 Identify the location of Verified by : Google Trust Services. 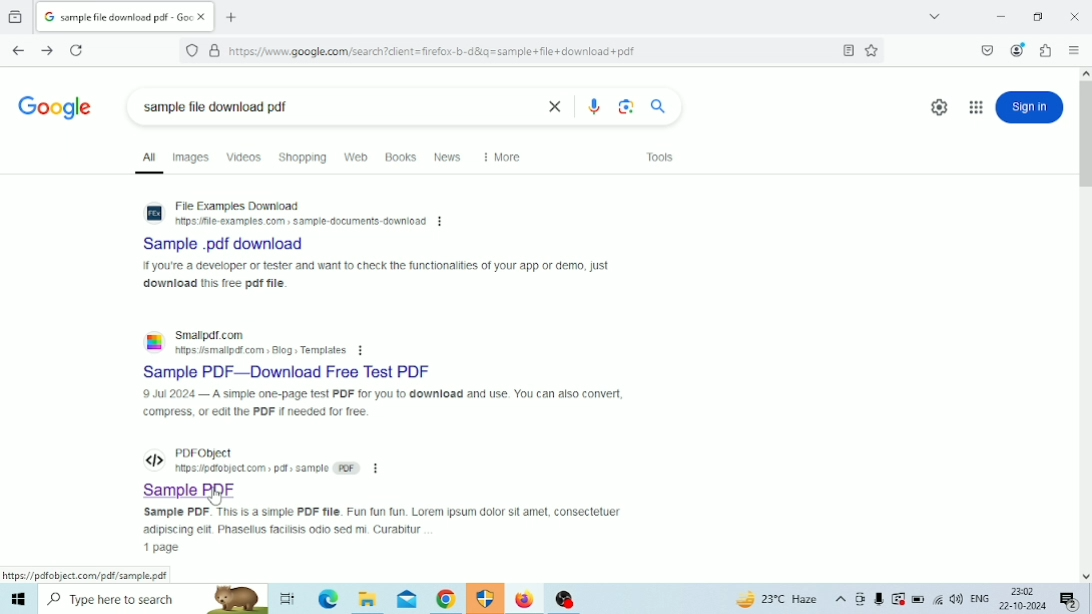
(215, 51).